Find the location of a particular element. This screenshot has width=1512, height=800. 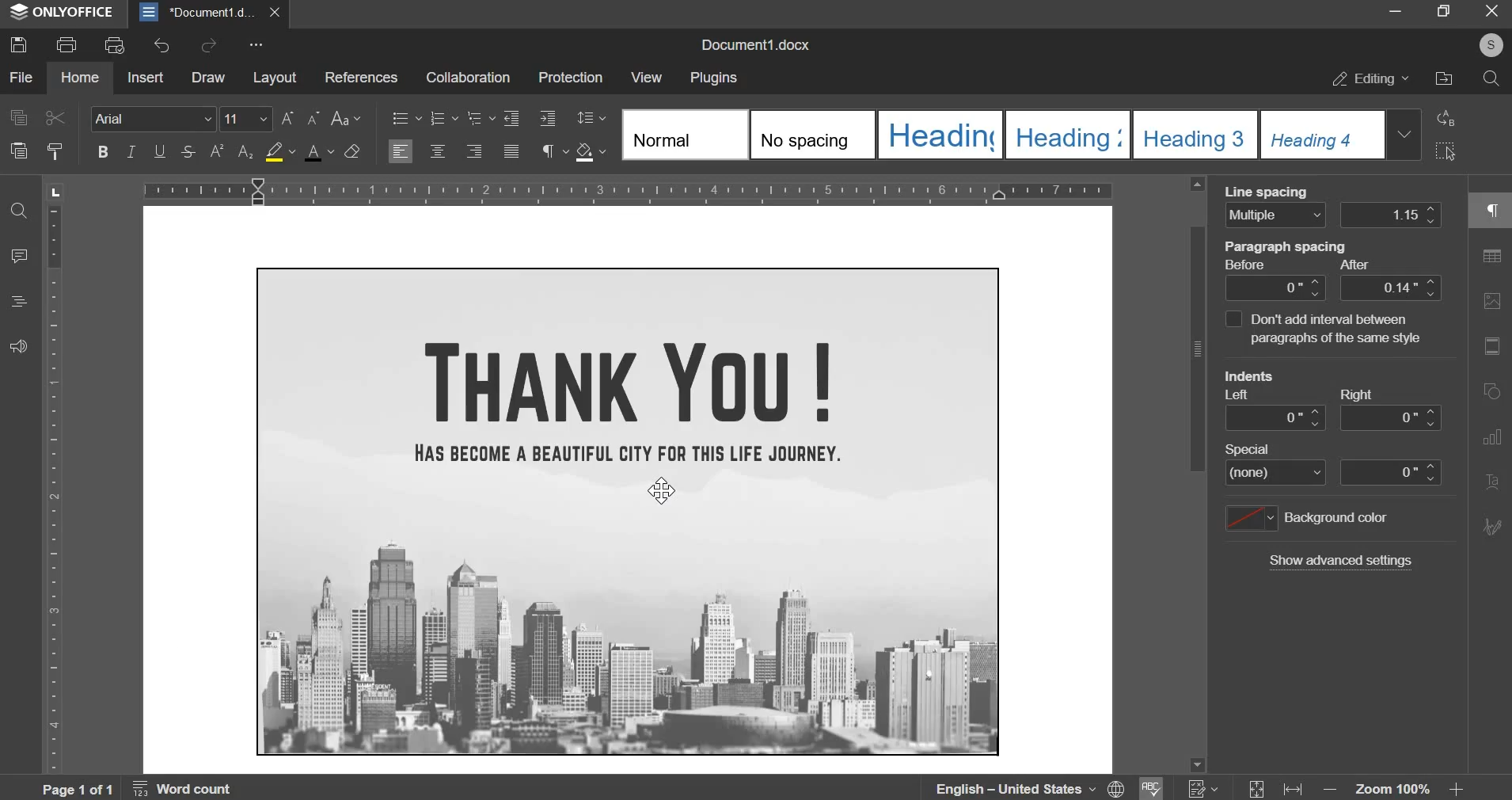

Page 1 of 1 is located at coordinates (81, 789).